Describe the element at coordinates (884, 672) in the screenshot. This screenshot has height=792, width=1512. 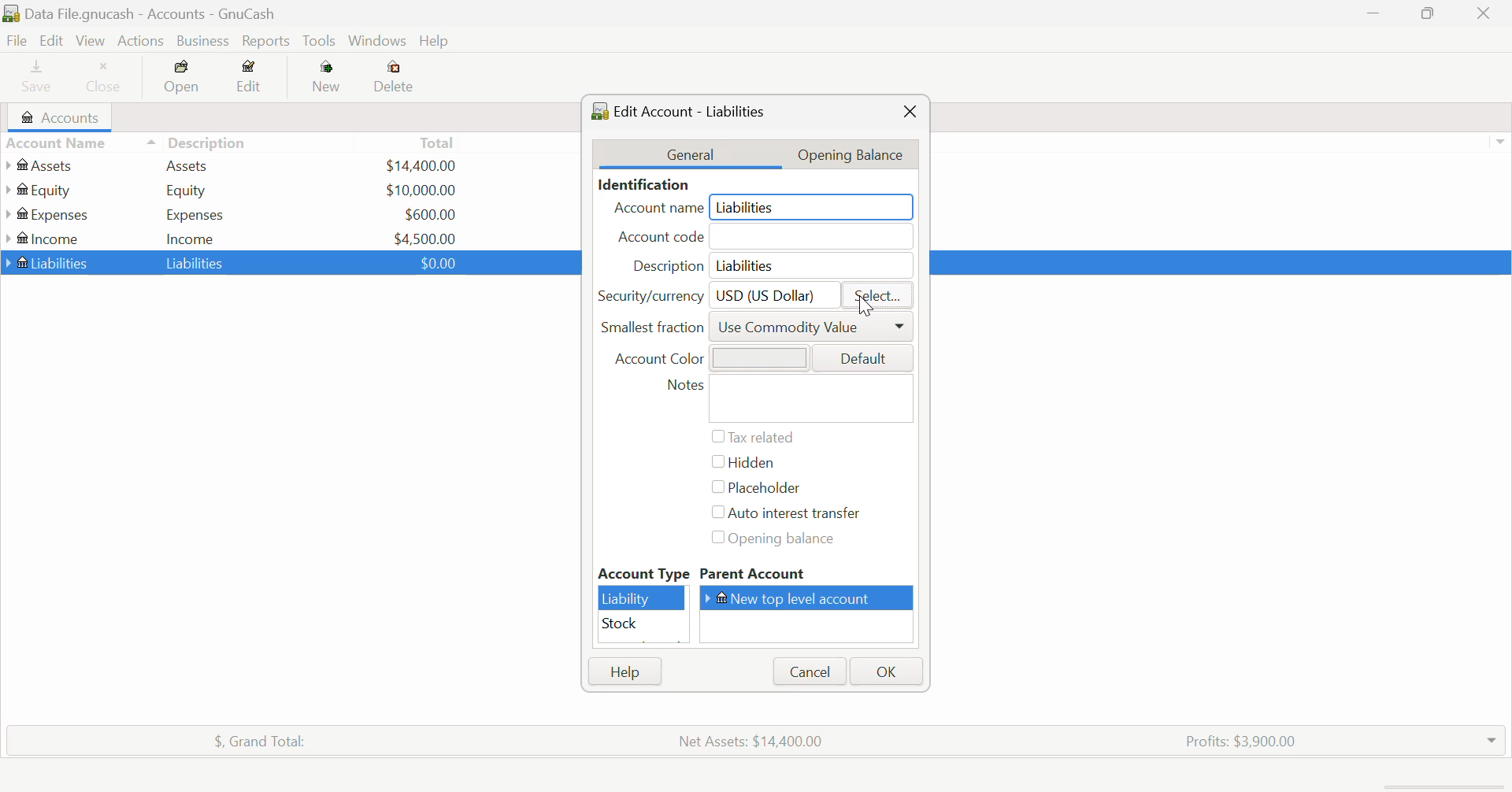
I see `OK` at that location.